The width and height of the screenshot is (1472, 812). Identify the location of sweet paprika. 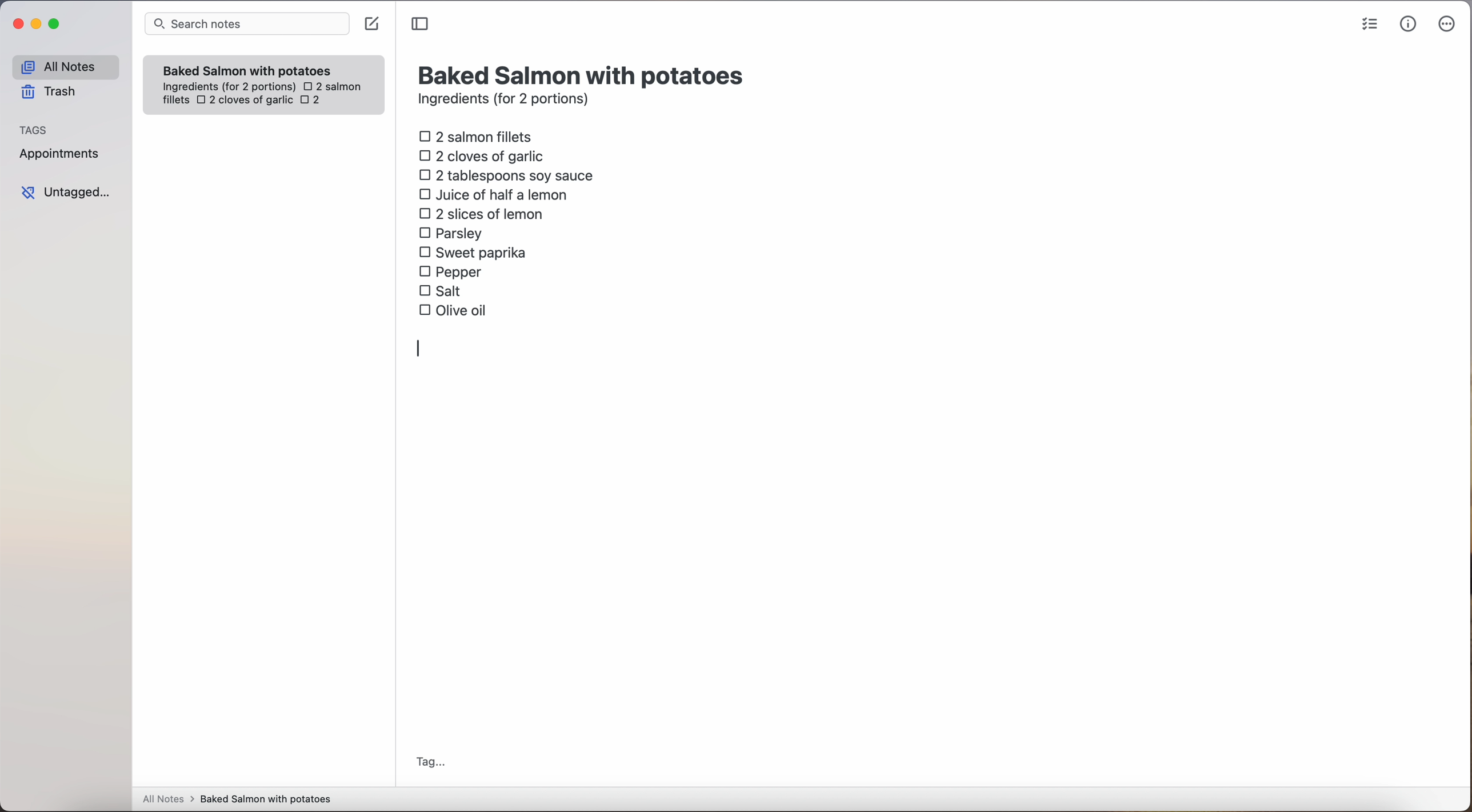
(475, 253).